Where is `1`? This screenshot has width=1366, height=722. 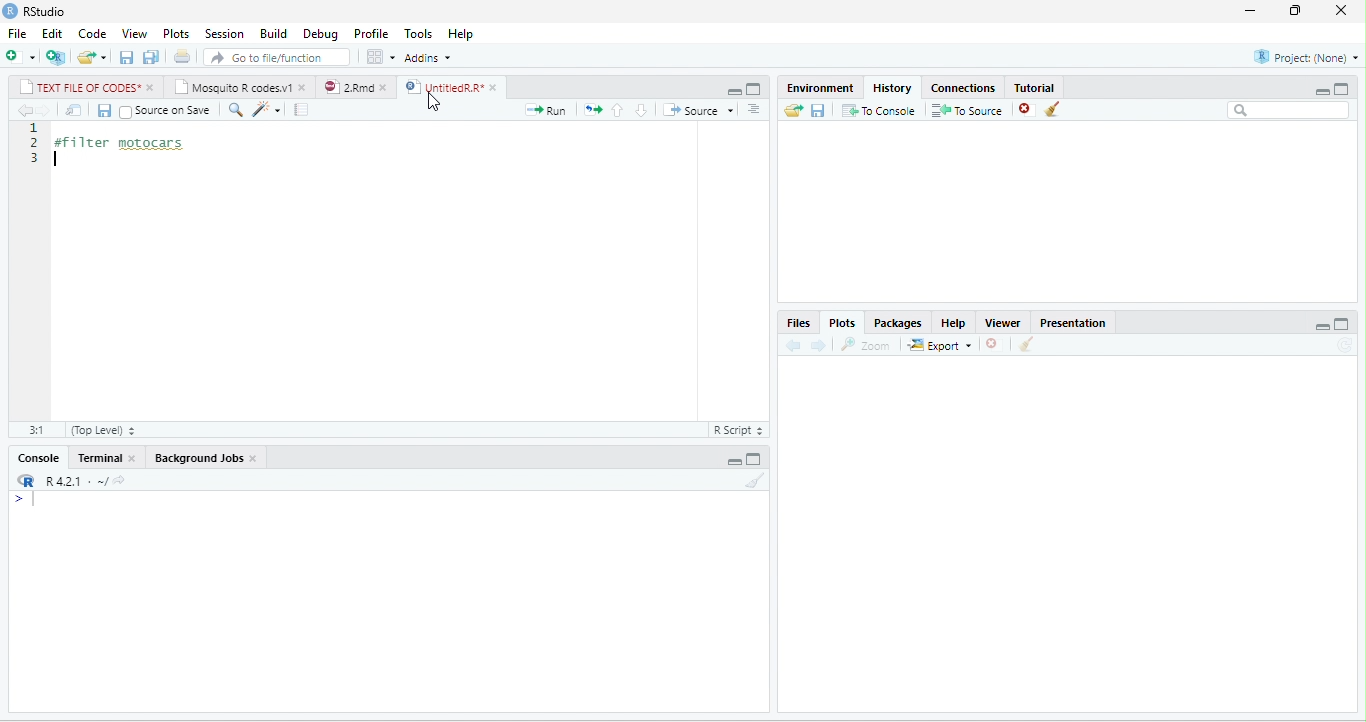
1 is located at coordinates (36, 128).